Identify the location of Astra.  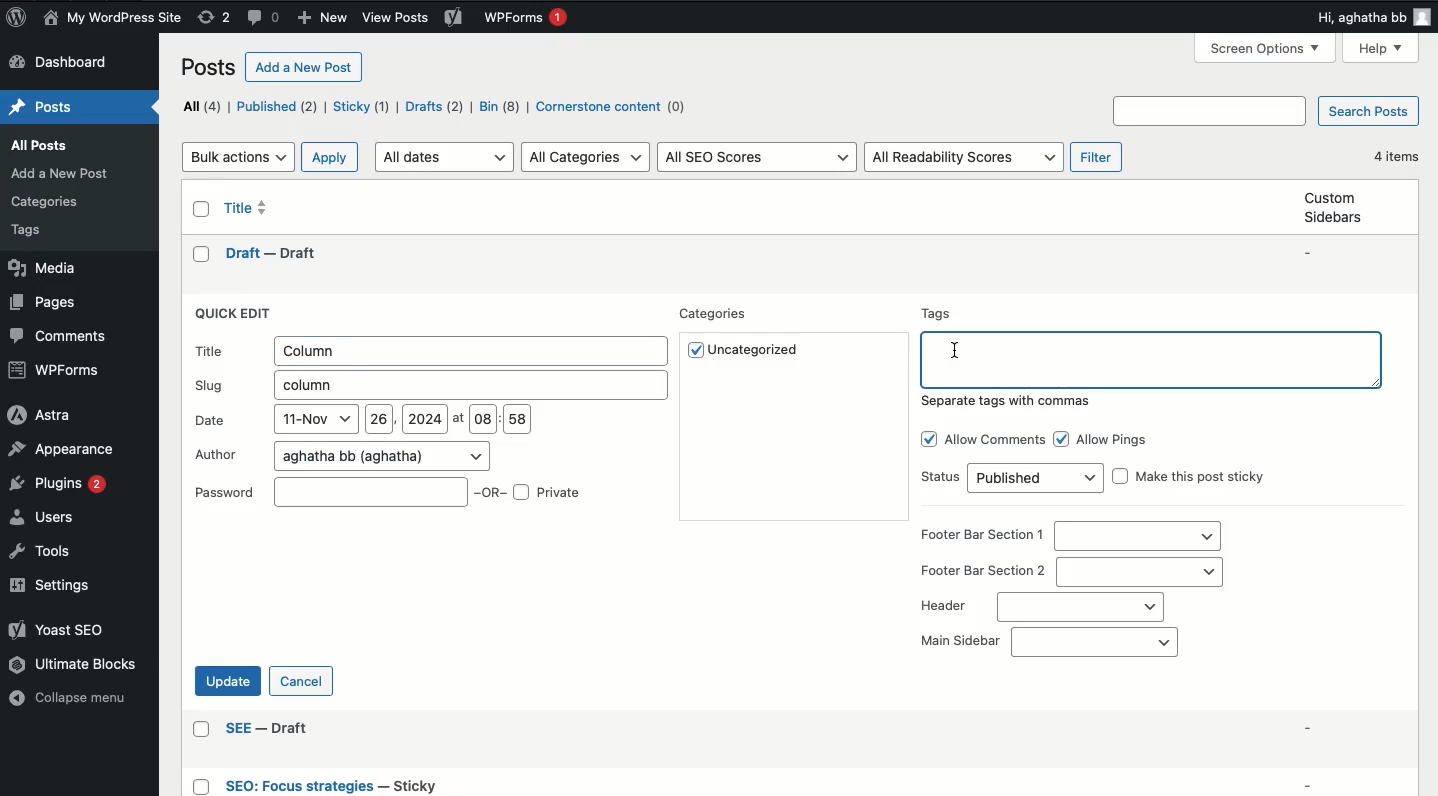
(39, 415).